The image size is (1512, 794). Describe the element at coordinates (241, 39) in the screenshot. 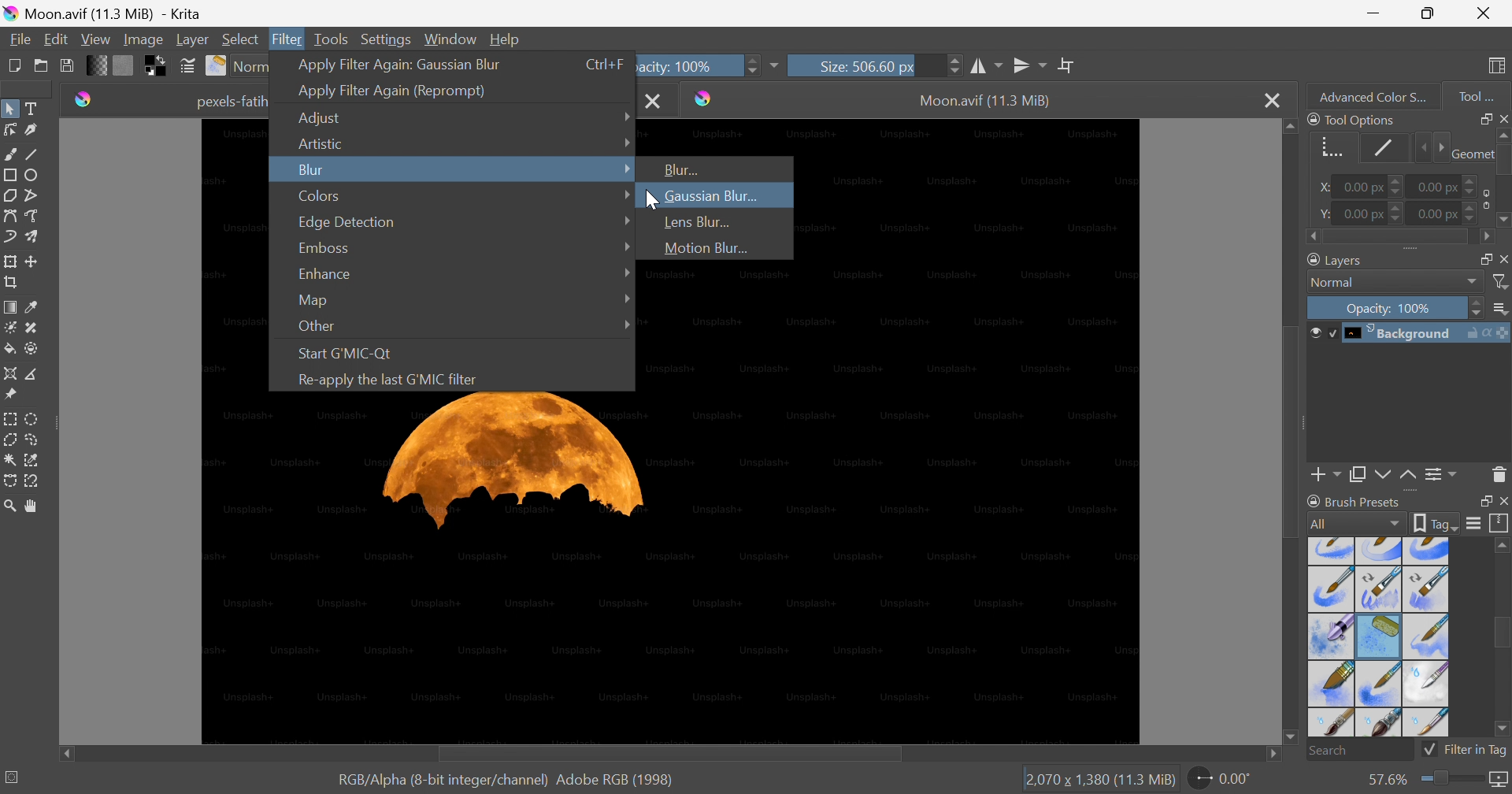

I see `Select` at that location.